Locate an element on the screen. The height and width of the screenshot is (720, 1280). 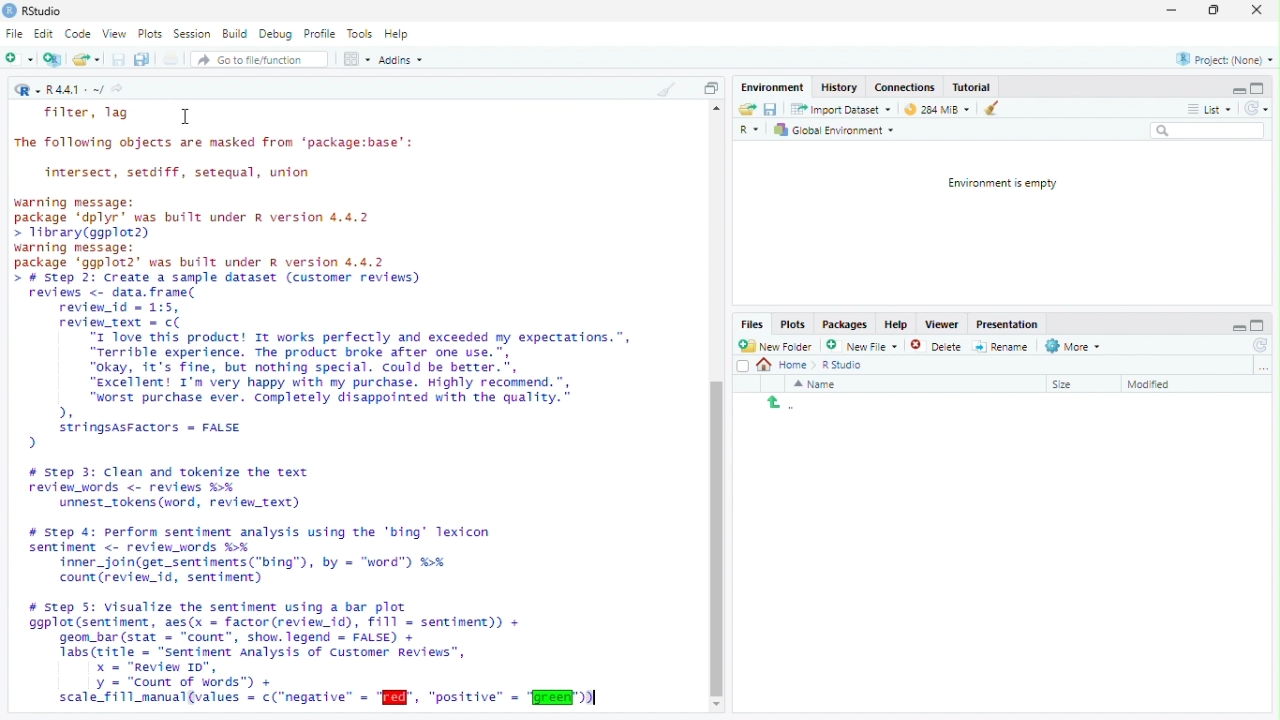
Minimize is located at coordinates (1170, 10).